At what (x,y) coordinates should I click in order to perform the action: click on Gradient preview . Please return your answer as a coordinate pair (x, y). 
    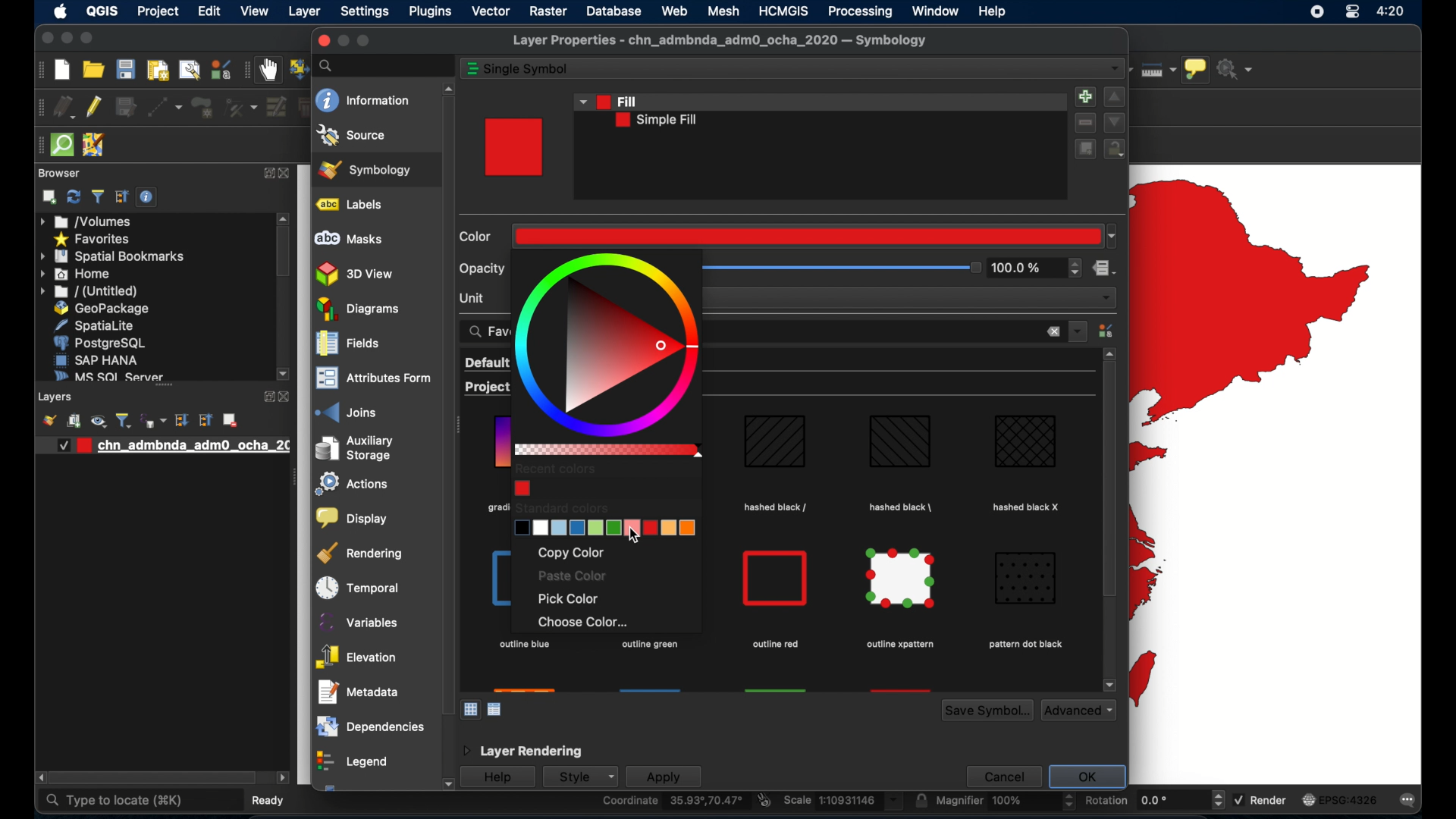
    Looking at the image, I should click on (899, 442).